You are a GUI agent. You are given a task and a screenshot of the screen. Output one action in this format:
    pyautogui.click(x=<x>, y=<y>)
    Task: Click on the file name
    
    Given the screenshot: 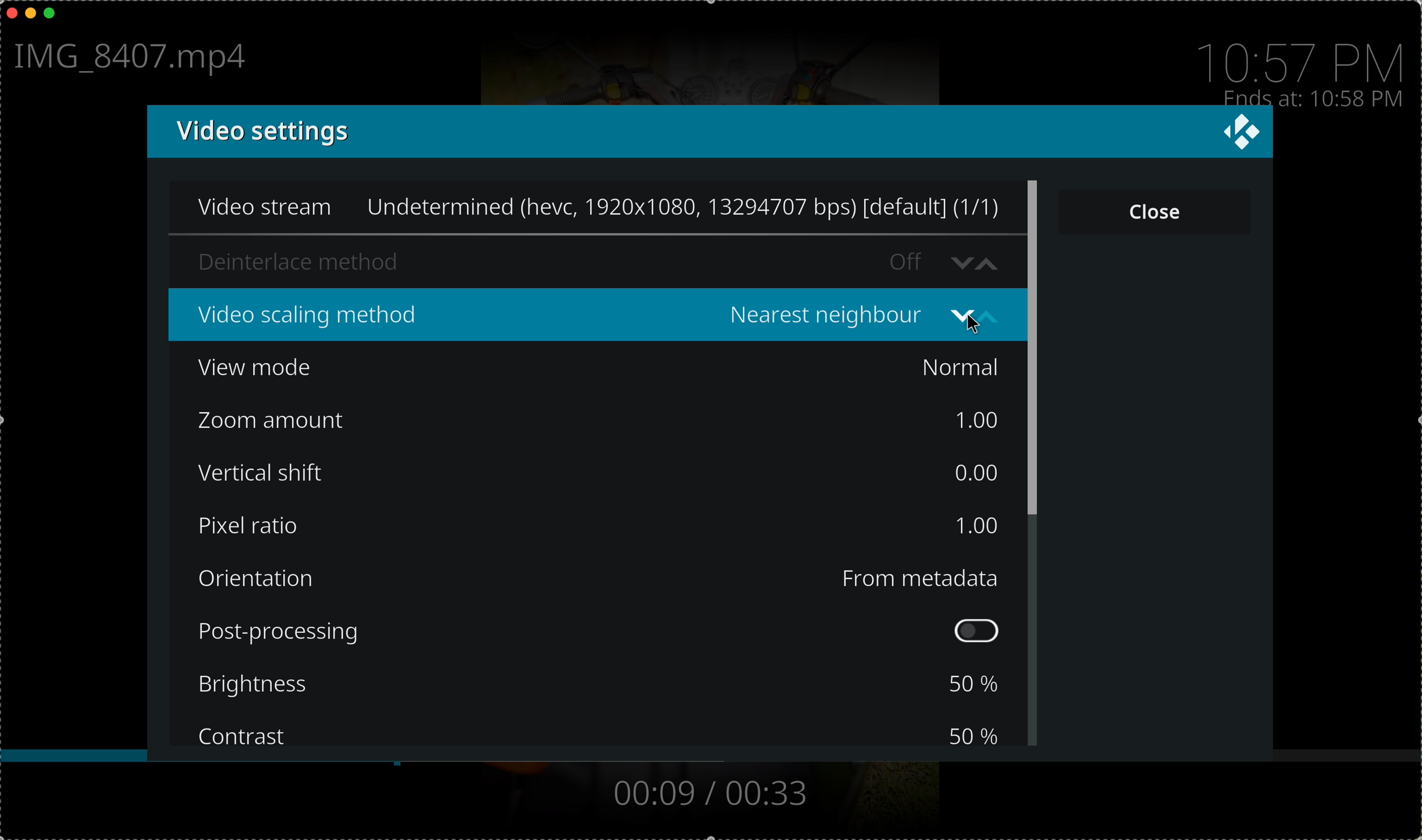 What is the action you would take?
    pyautogui.click(x=136, y=59)
    